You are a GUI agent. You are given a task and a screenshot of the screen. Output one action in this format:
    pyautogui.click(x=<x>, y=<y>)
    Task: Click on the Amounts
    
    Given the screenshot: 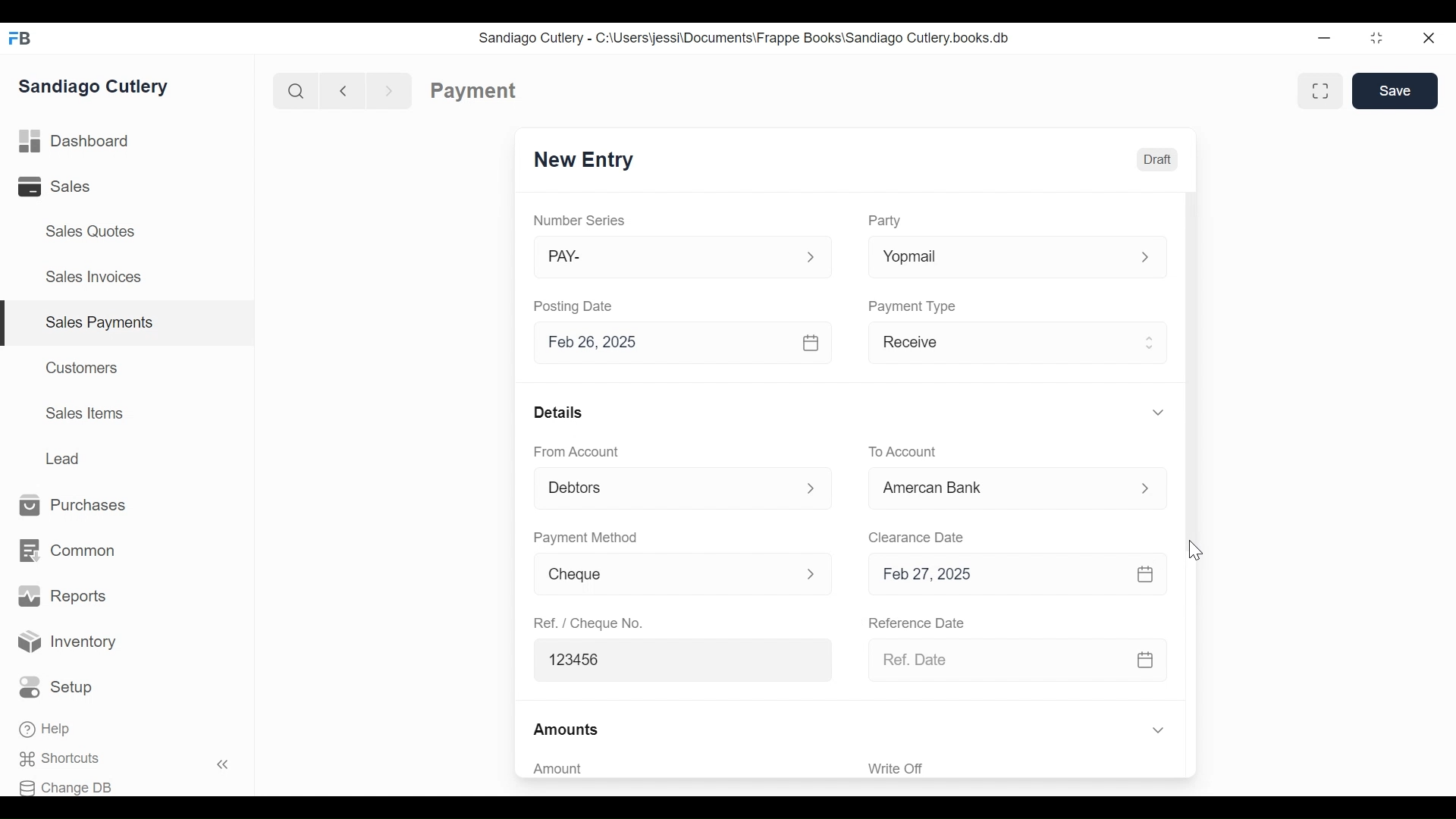 What is the action you would take?
    pyautogui.click(x=567, y=730)
    